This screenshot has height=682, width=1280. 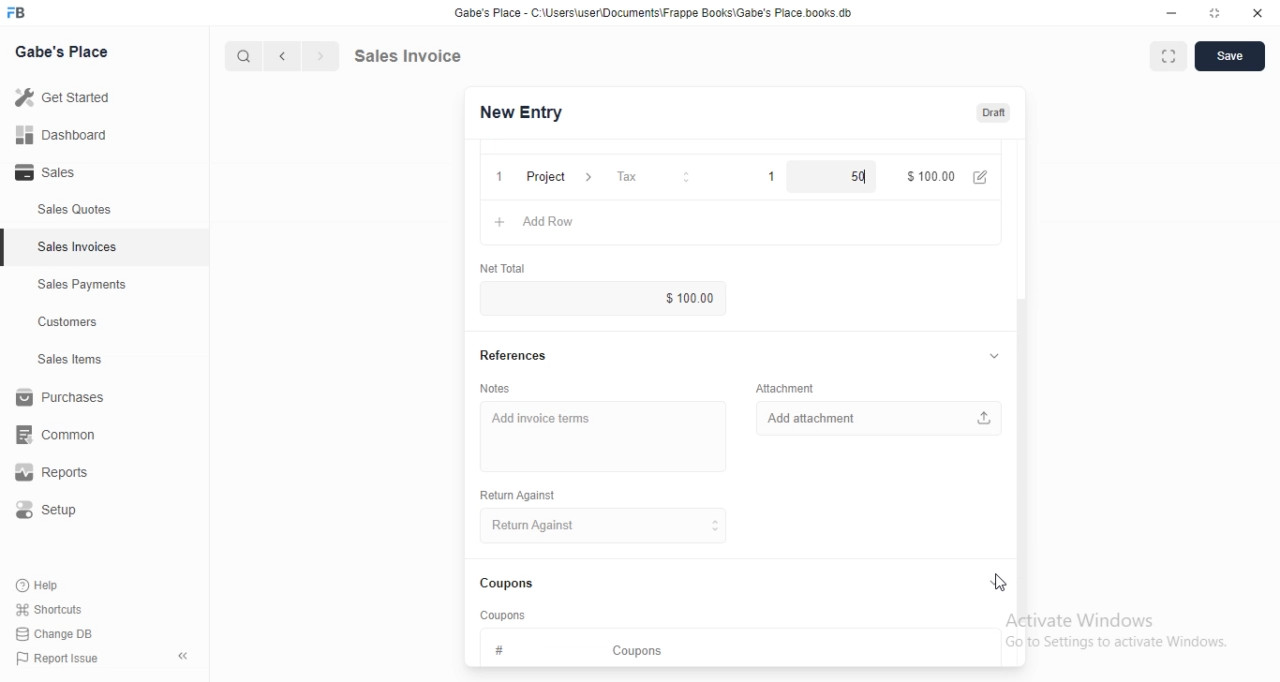 What do you see at coordinates (646, 176) in the screenshot?
I see `Tax ` at bounding box center [646, 176].